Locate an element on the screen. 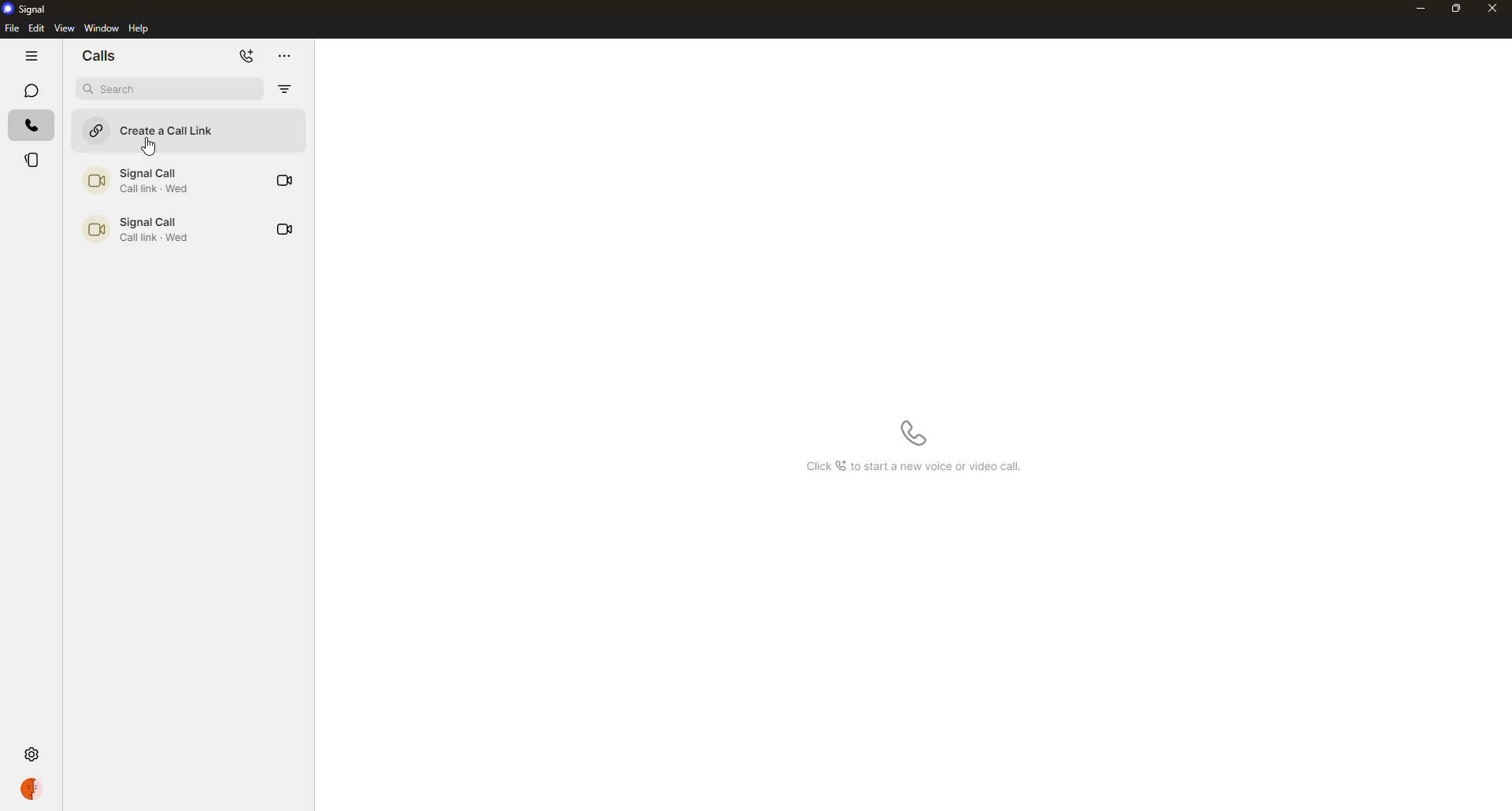 The image size is (1512, 811). hide tabs is located at coordinates (31, 57).